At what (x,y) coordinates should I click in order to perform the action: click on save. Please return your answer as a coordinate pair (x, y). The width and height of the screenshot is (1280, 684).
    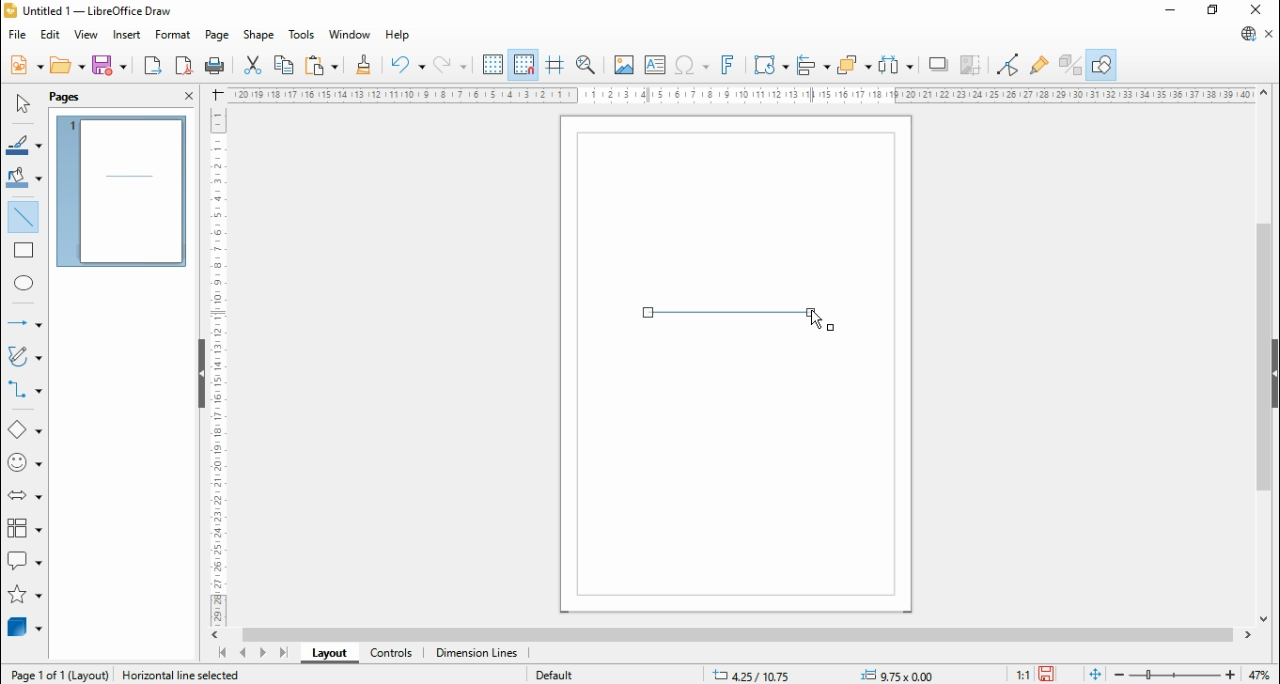
    Looking at the image, I should click on (1047, 674).